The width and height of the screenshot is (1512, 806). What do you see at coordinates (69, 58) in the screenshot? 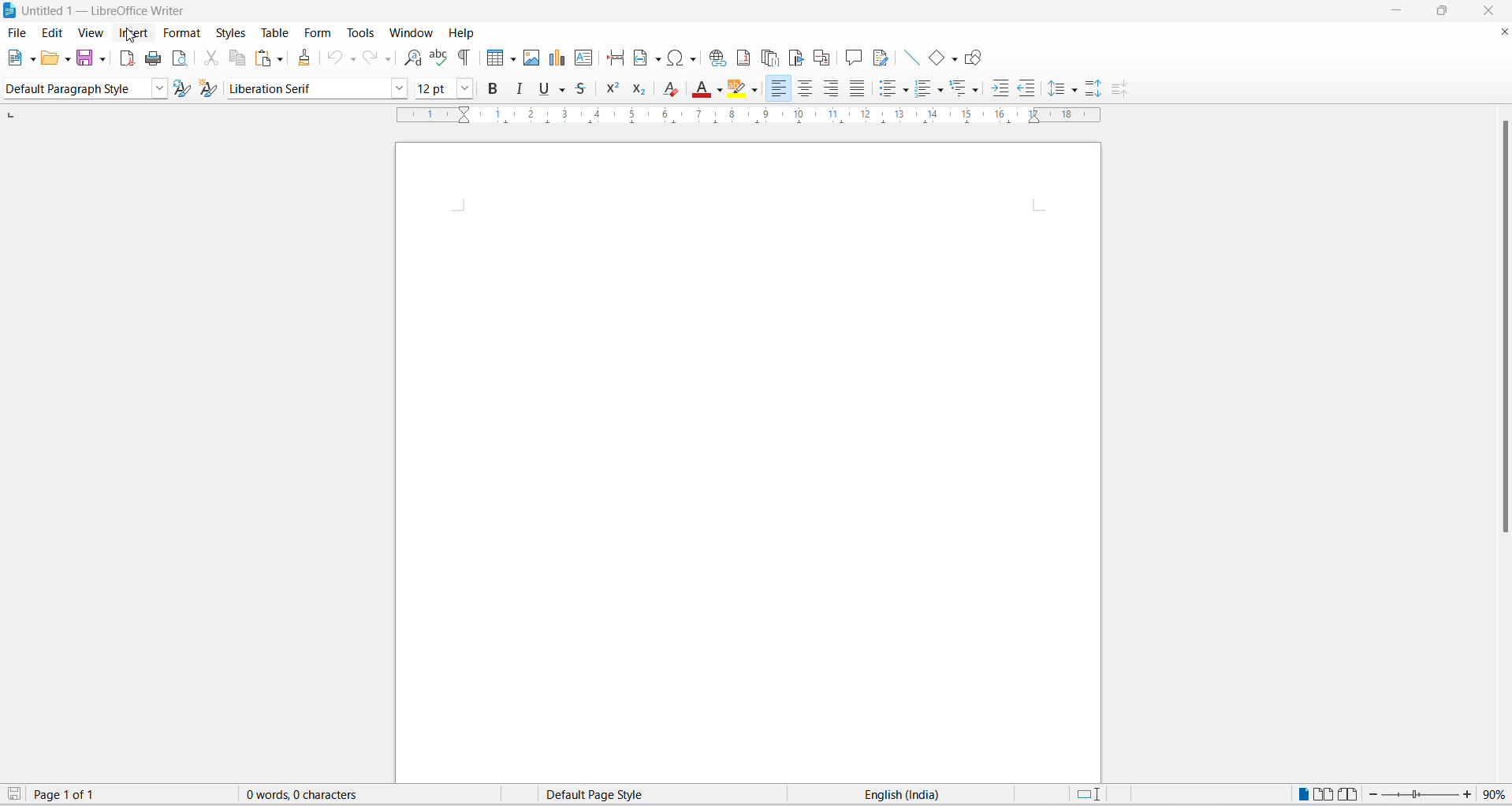
I see `open options` at bounding box center [69, 58].